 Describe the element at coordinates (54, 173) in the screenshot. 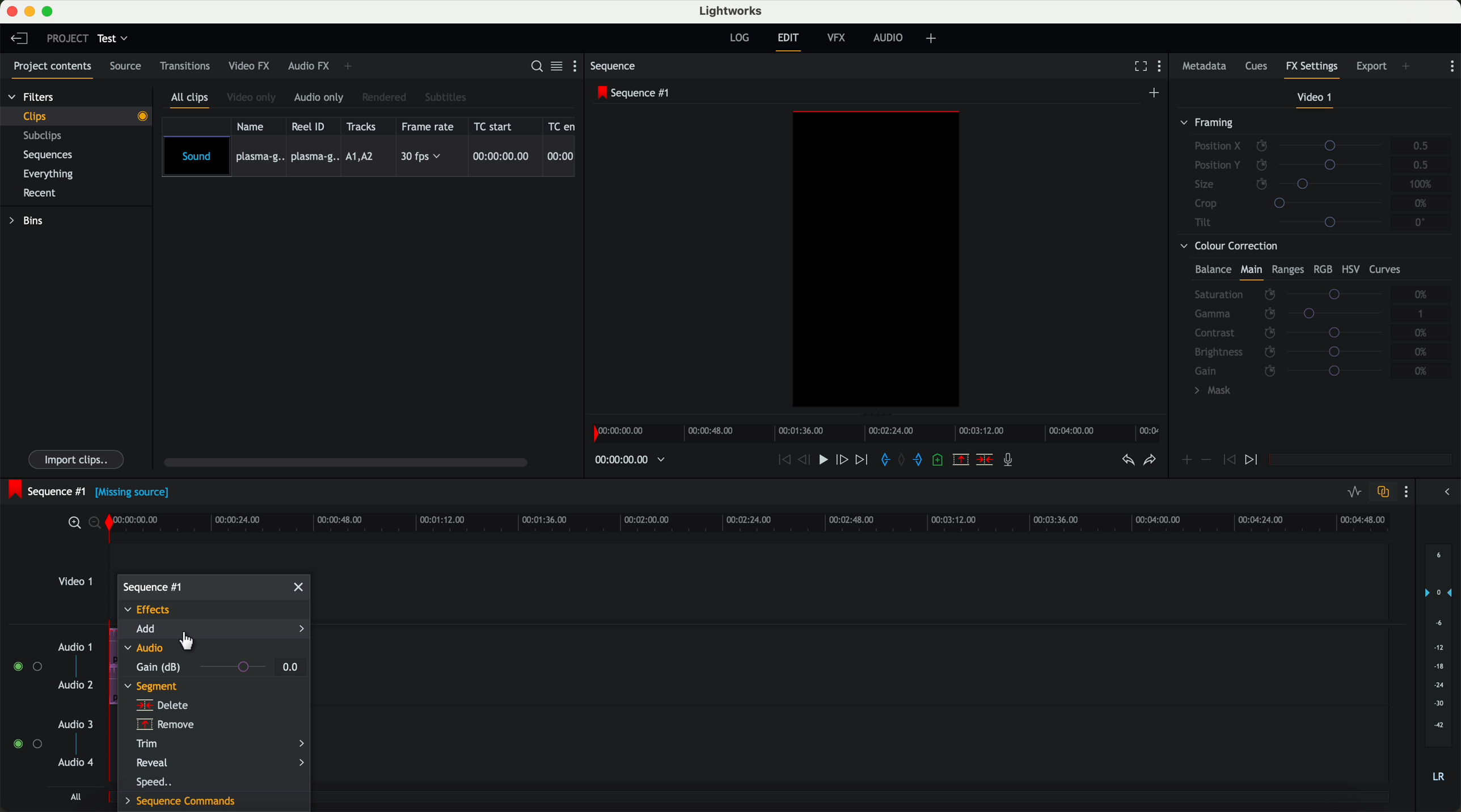

I see `everything` at that location.